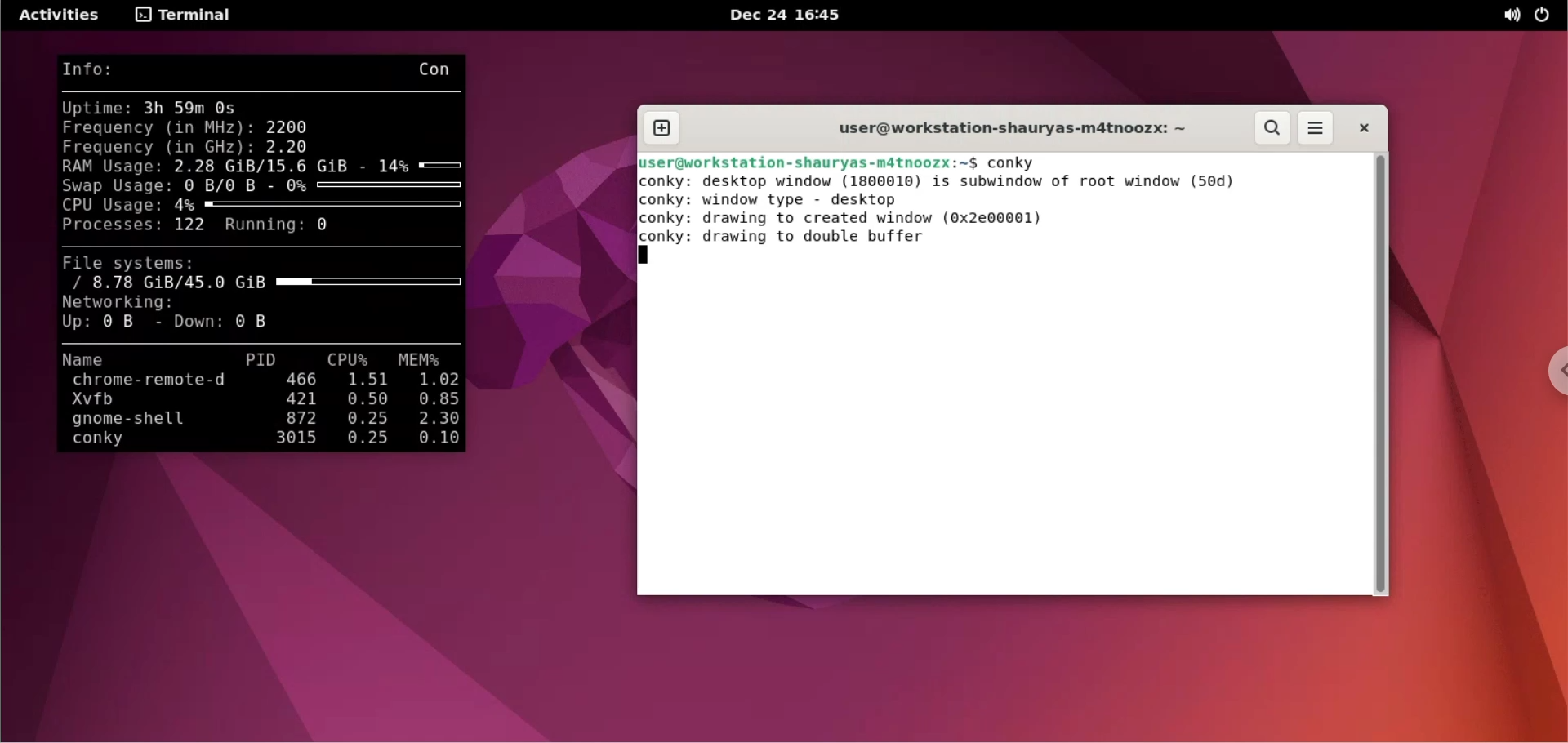 The image size is (1568, 743). I want to click on line, so click(258, 250).